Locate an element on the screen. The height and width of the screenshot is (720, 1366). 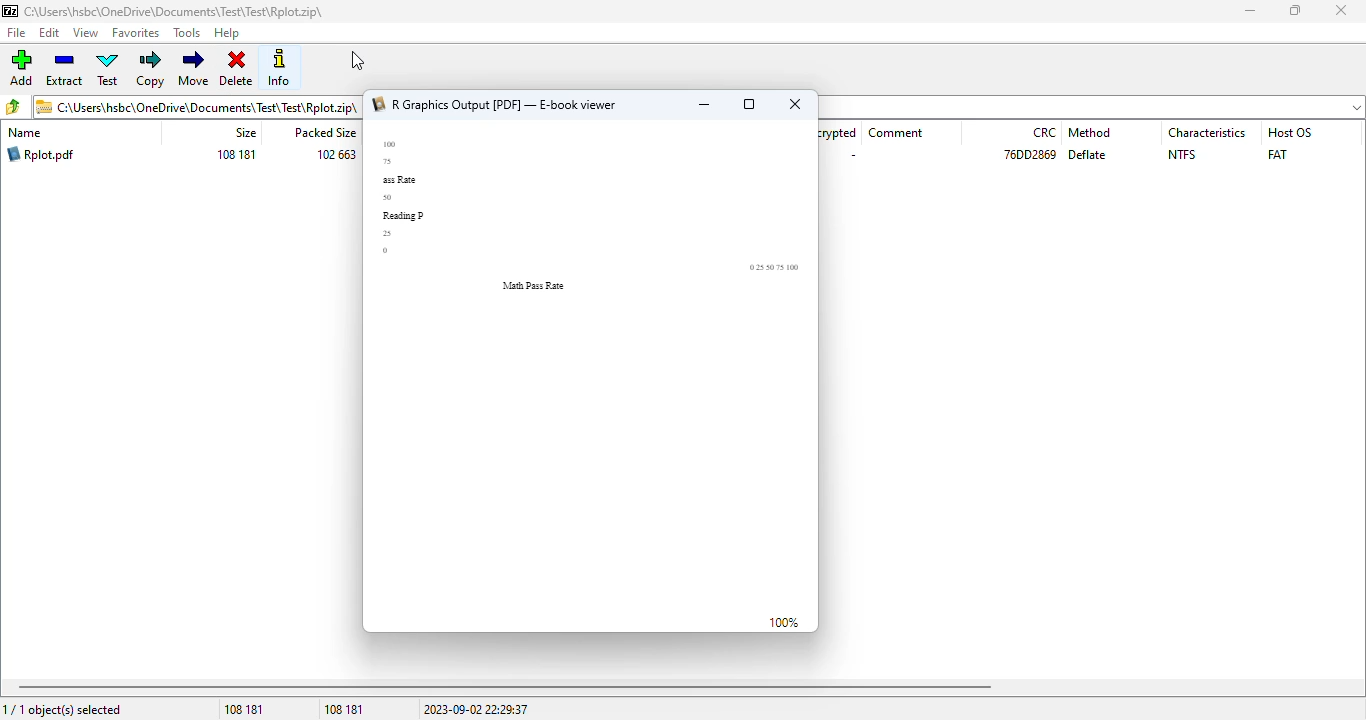
close is located at coordinates (1340, 10).